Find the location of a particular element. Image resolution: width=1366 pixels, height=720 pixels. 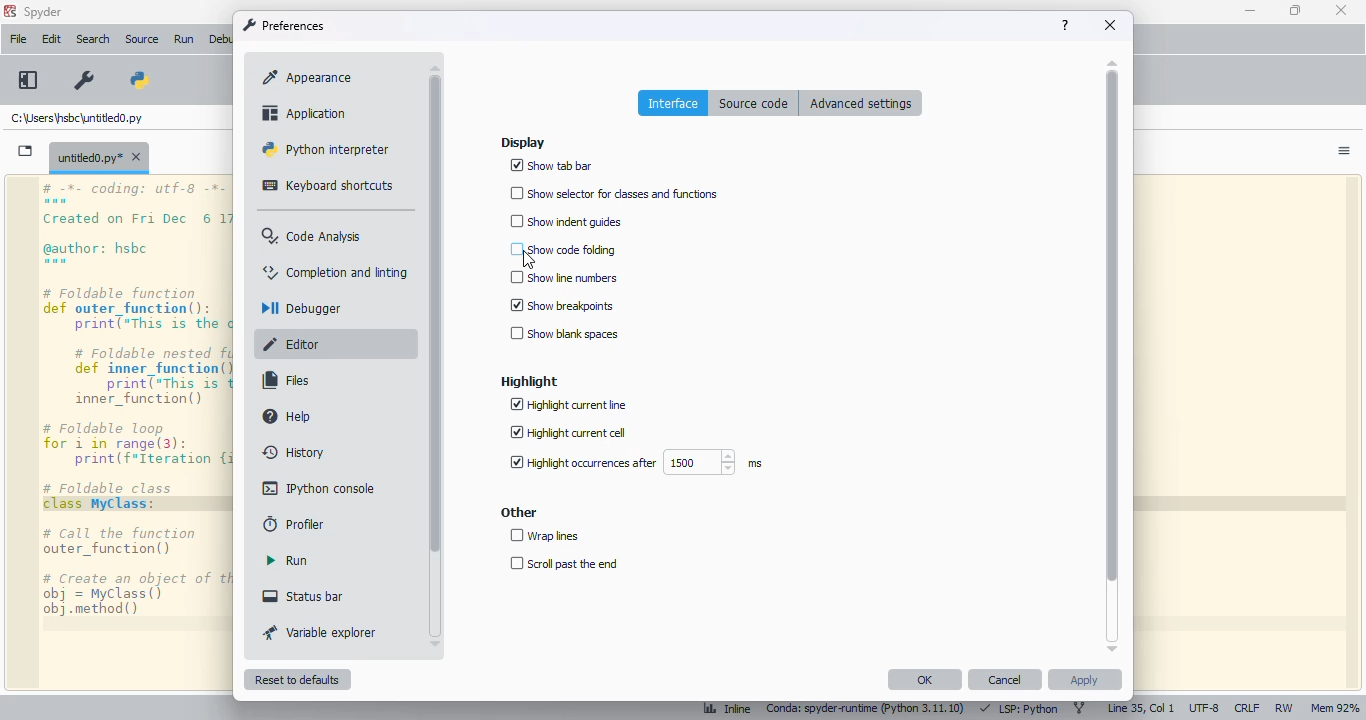

untitled0.py is located at coordinates (99, 156).